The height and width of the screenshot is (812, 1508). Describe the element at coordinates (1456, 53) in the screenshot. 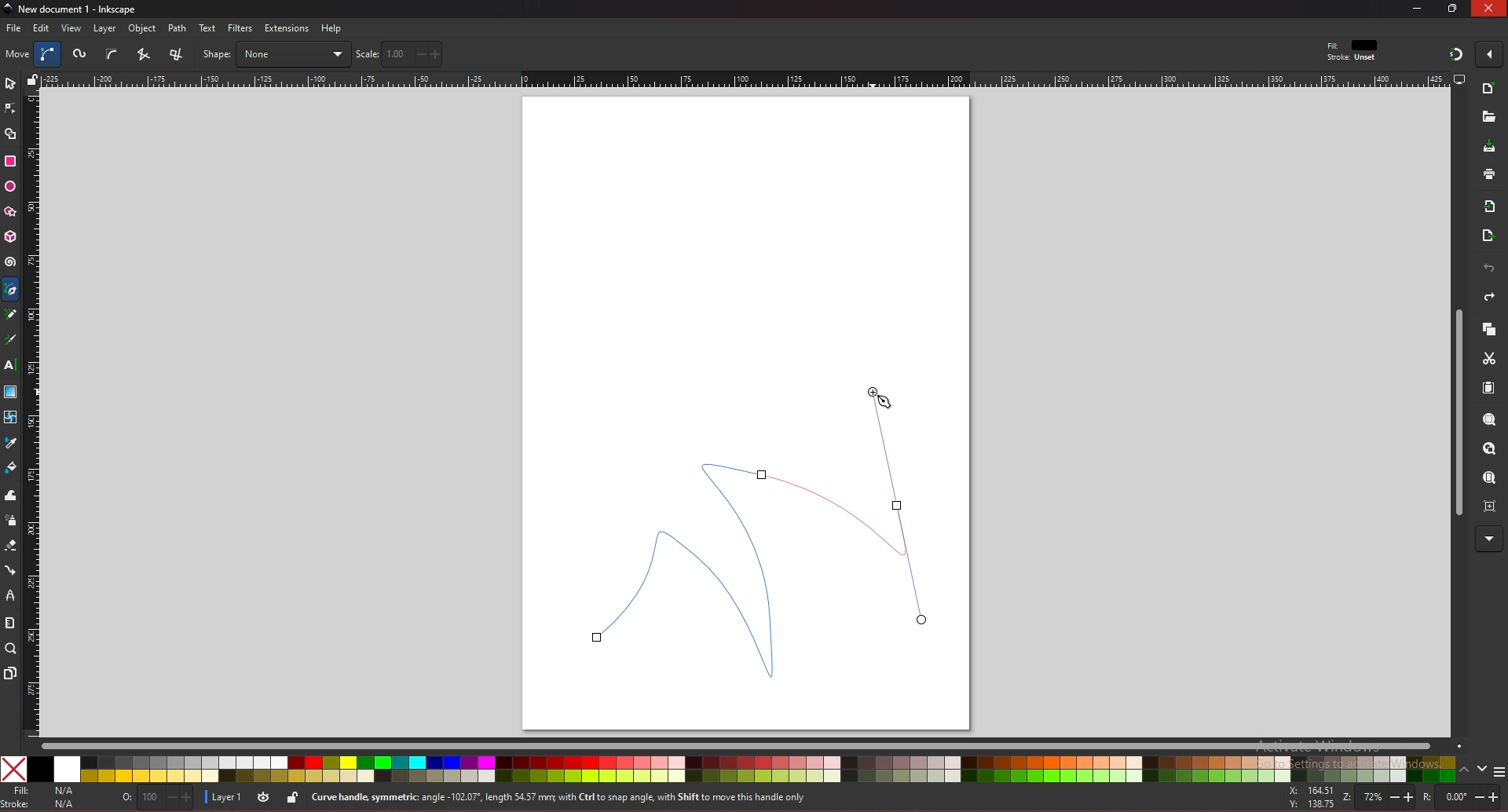

I see `snapping` at that location.